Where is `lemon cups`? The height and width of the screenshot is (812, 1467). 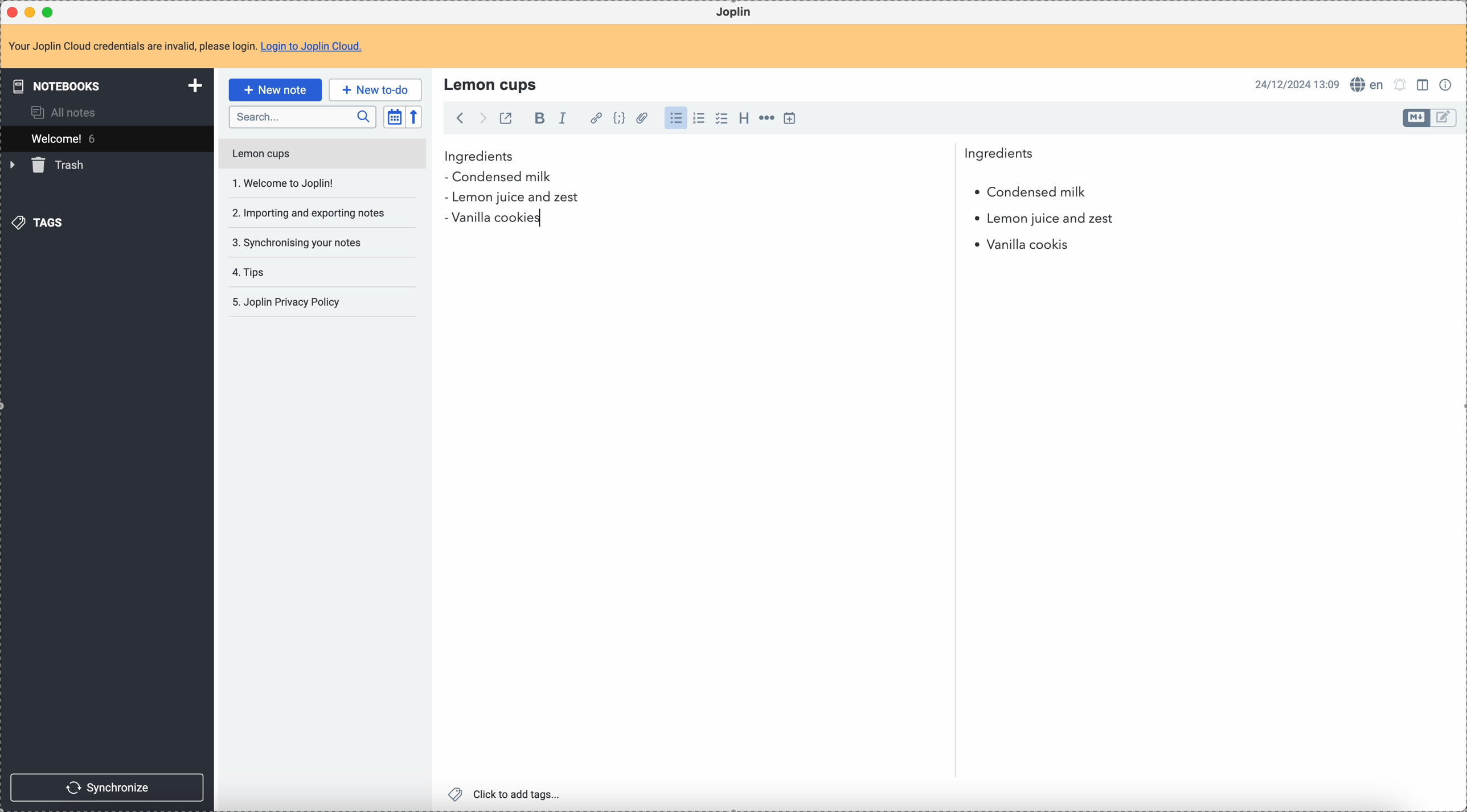 lemon cups is located at coordinates (493, 84).